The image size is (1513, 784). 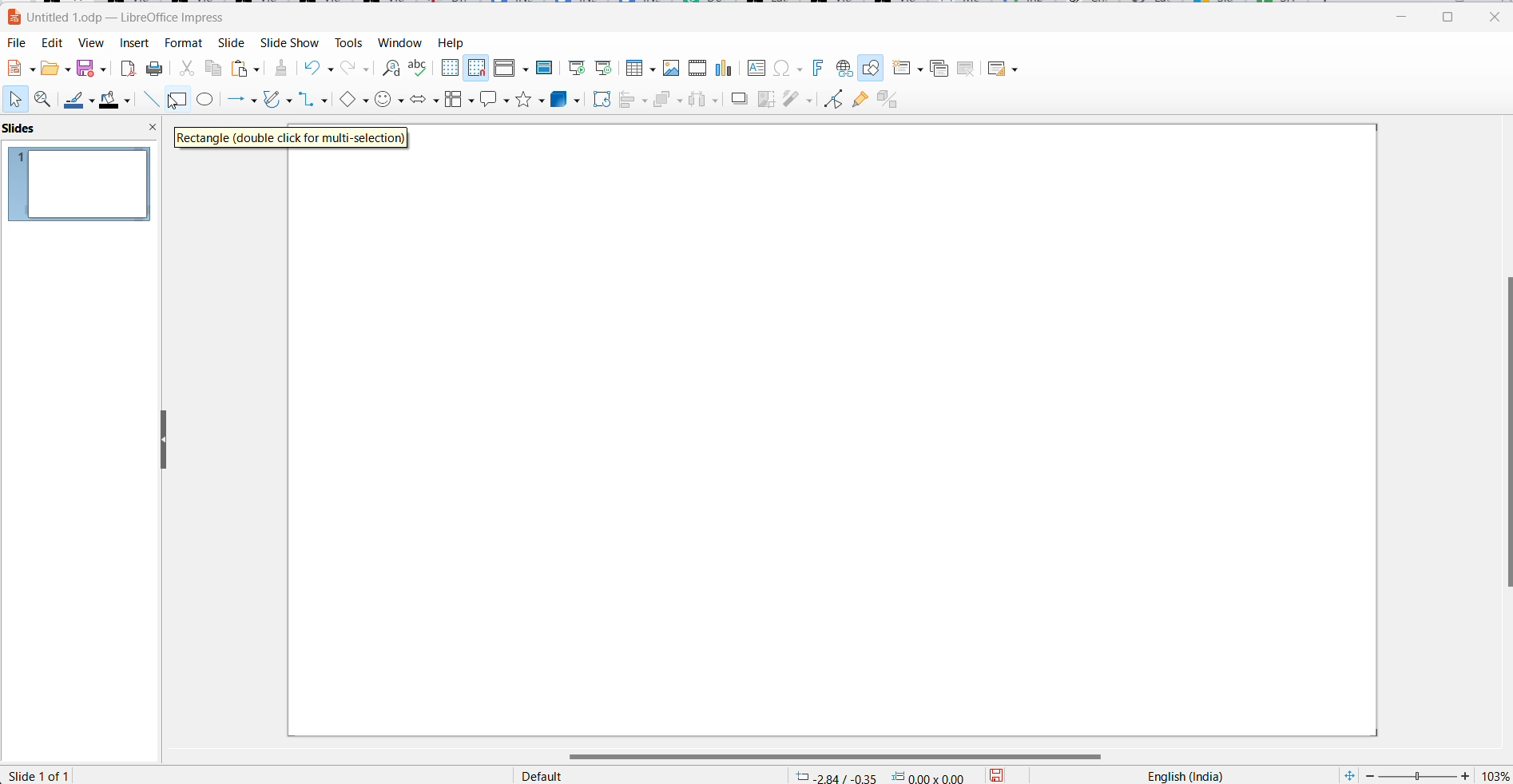 I want to click on find and replace, so click(x=389, y=66).